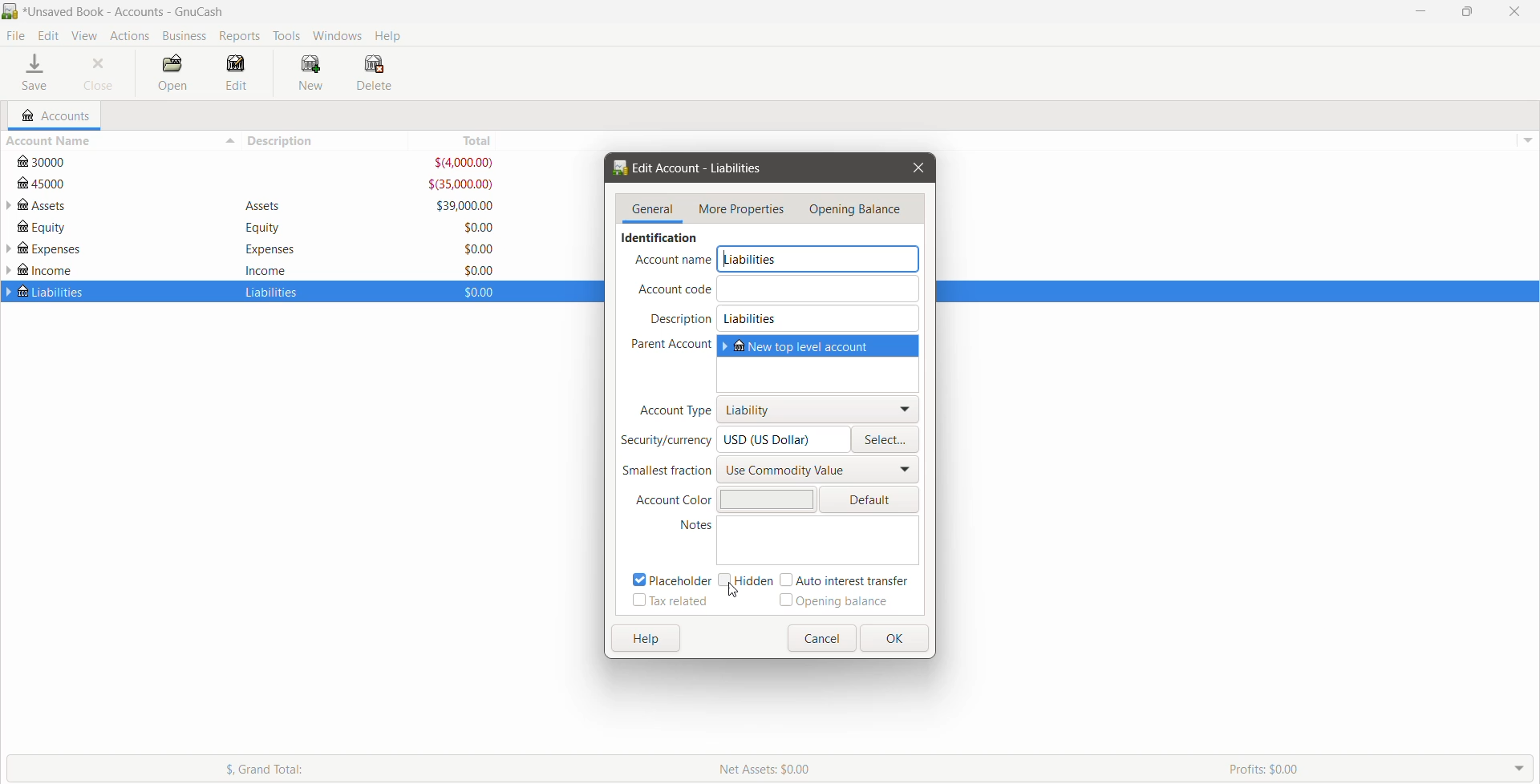 The width and height of the screenshot is (1540, 784). What do you see at coordinates (668, 501) in the screenshot?
I see `Account color` at bounding box center [668, 501].